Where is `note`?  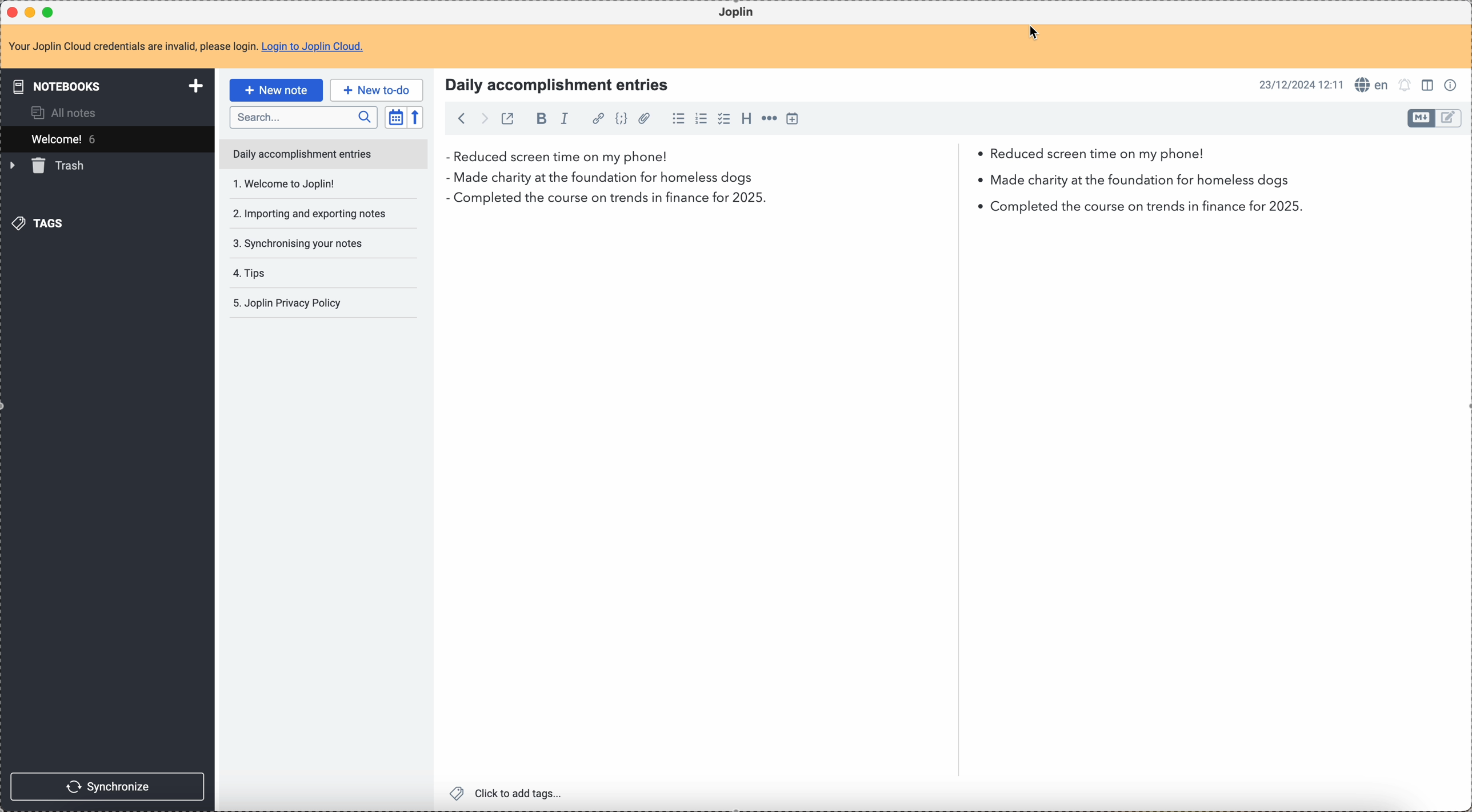
note is located at coordinates (186, 47).